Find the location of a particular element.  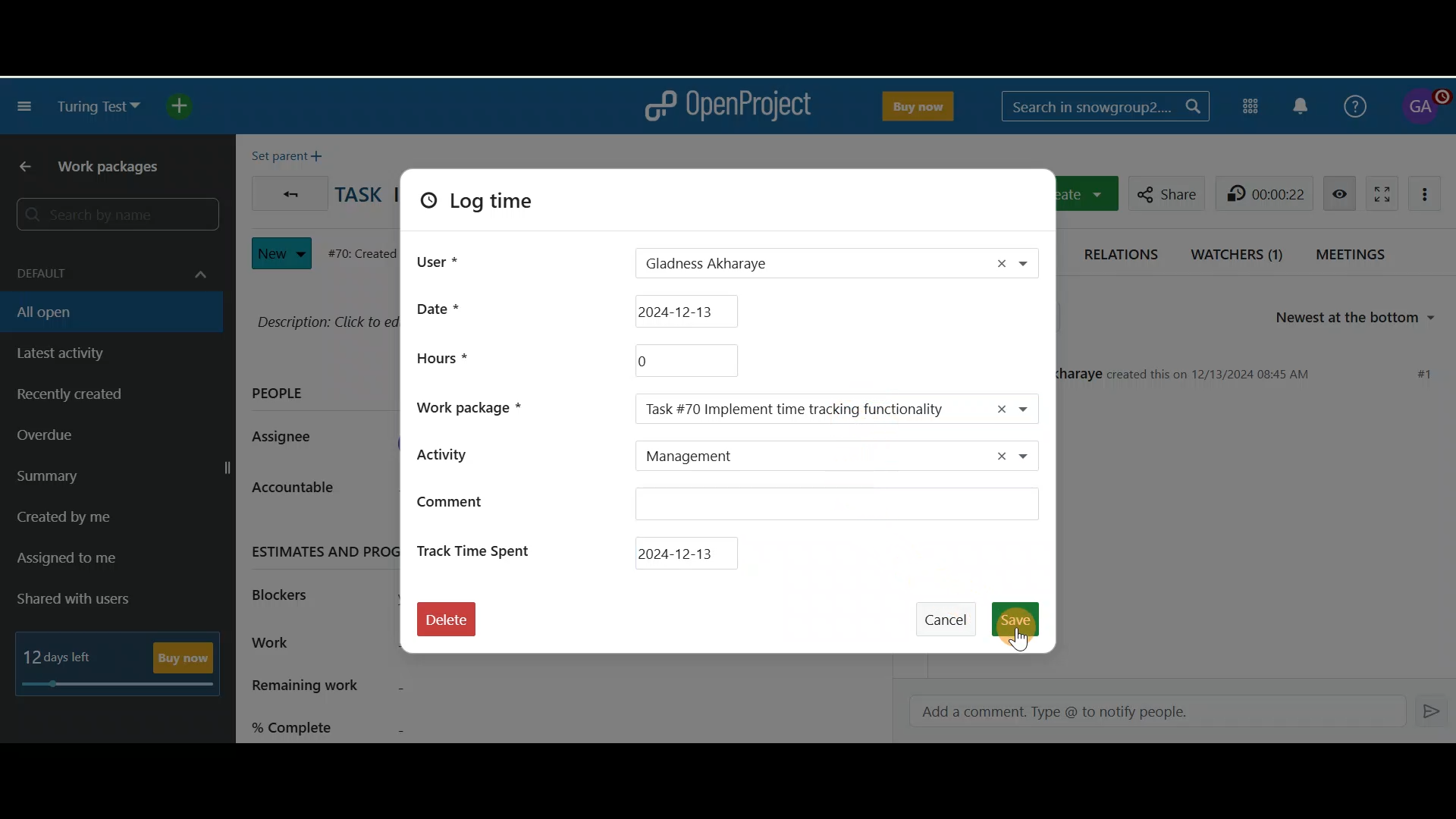

Add a comment. Type @ to notify people. is located at coordinates (1147, 712).